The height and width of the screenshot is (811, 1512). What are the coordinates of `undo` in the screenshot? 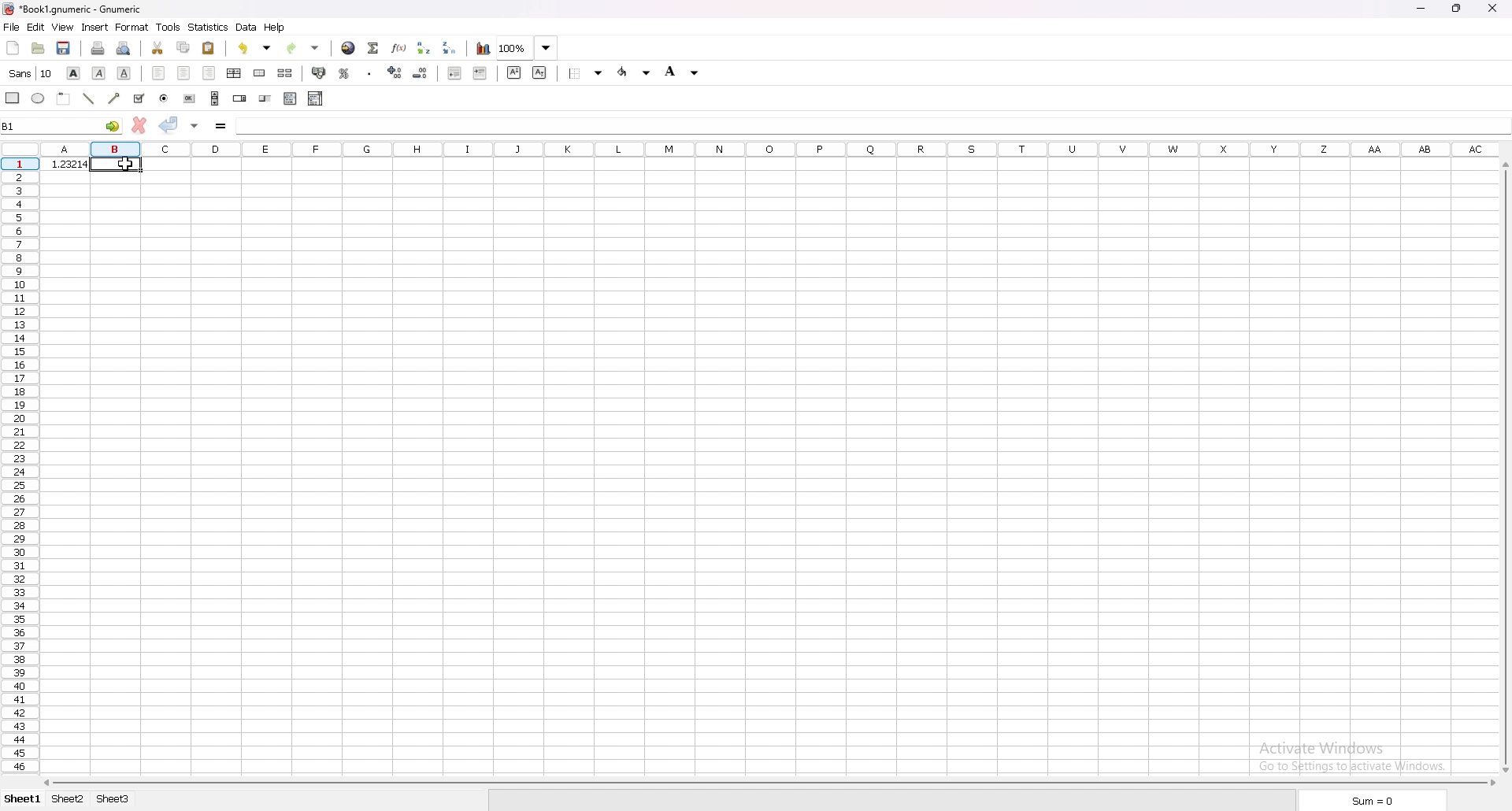 It's located at (254, 49).